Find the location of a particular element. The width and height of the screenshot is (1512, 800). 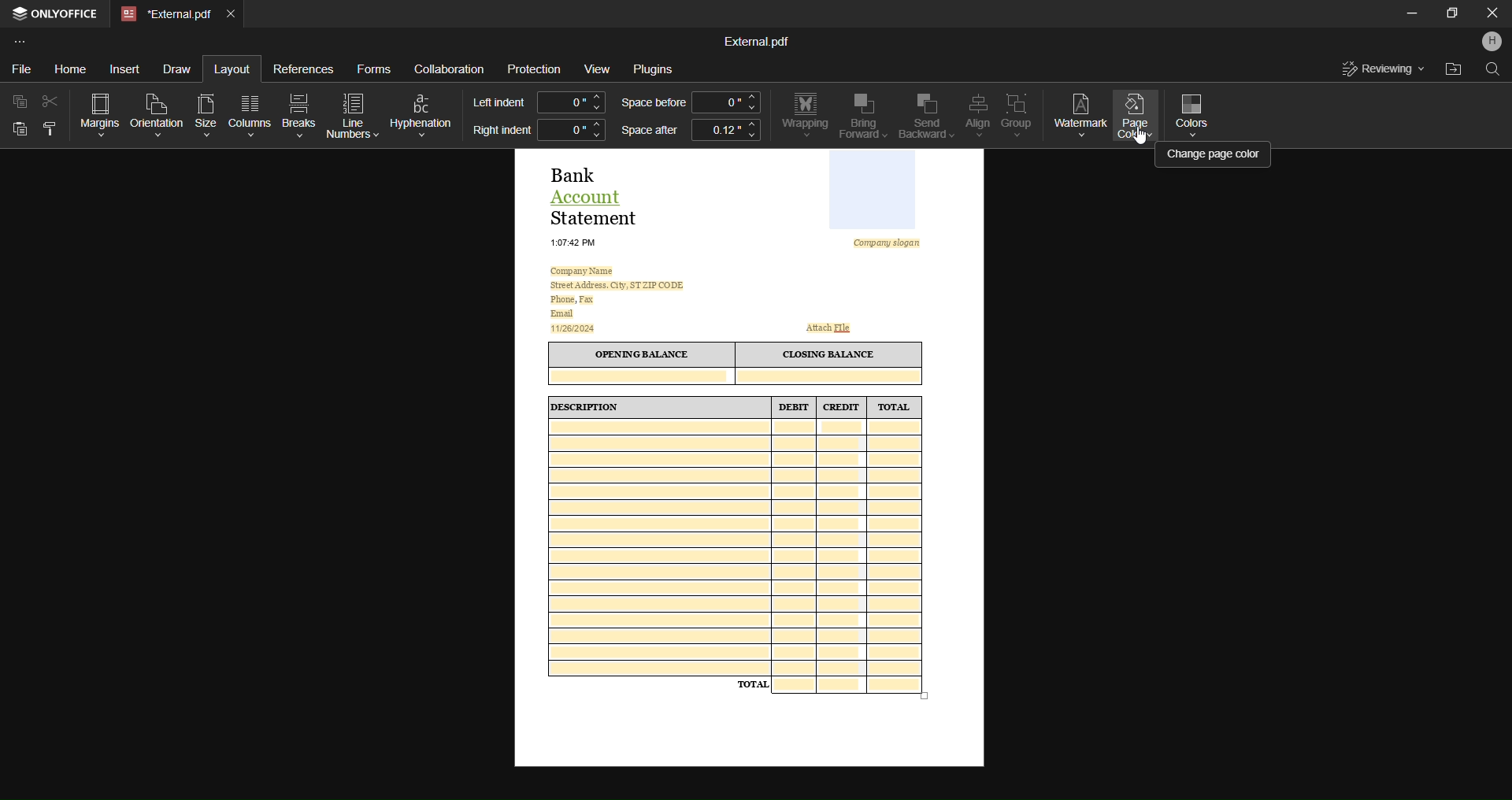

Columns is located at coordinates (252, 114).